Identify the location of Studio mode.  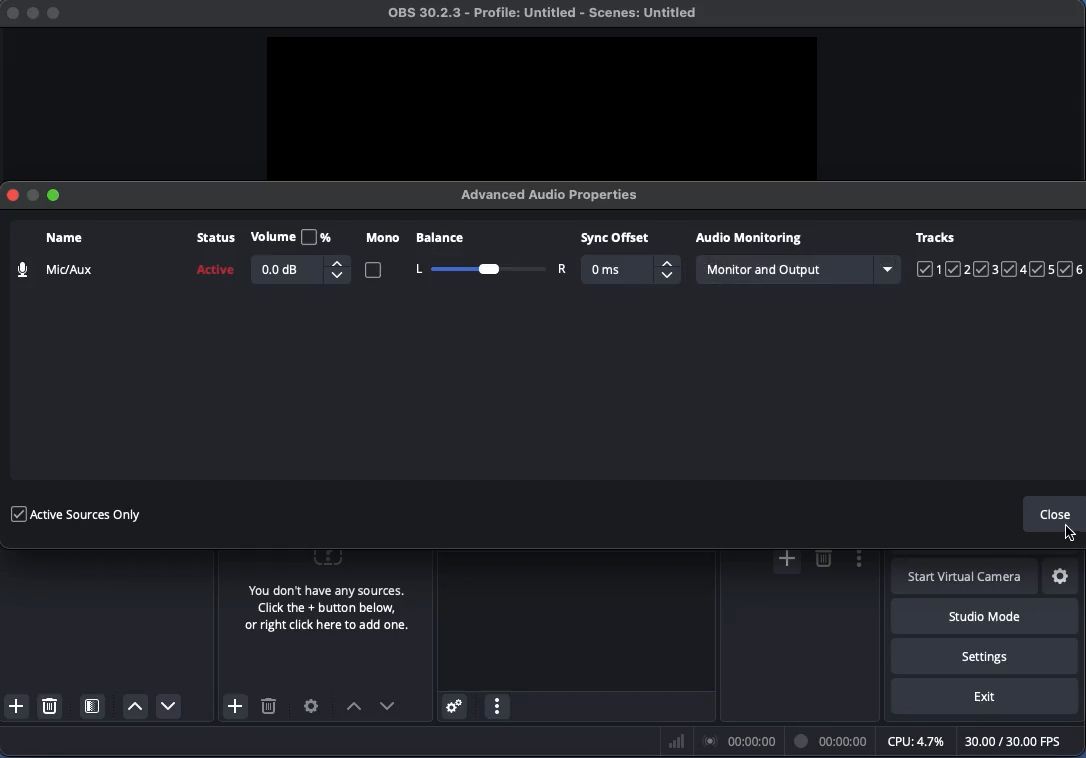
(981, 616).